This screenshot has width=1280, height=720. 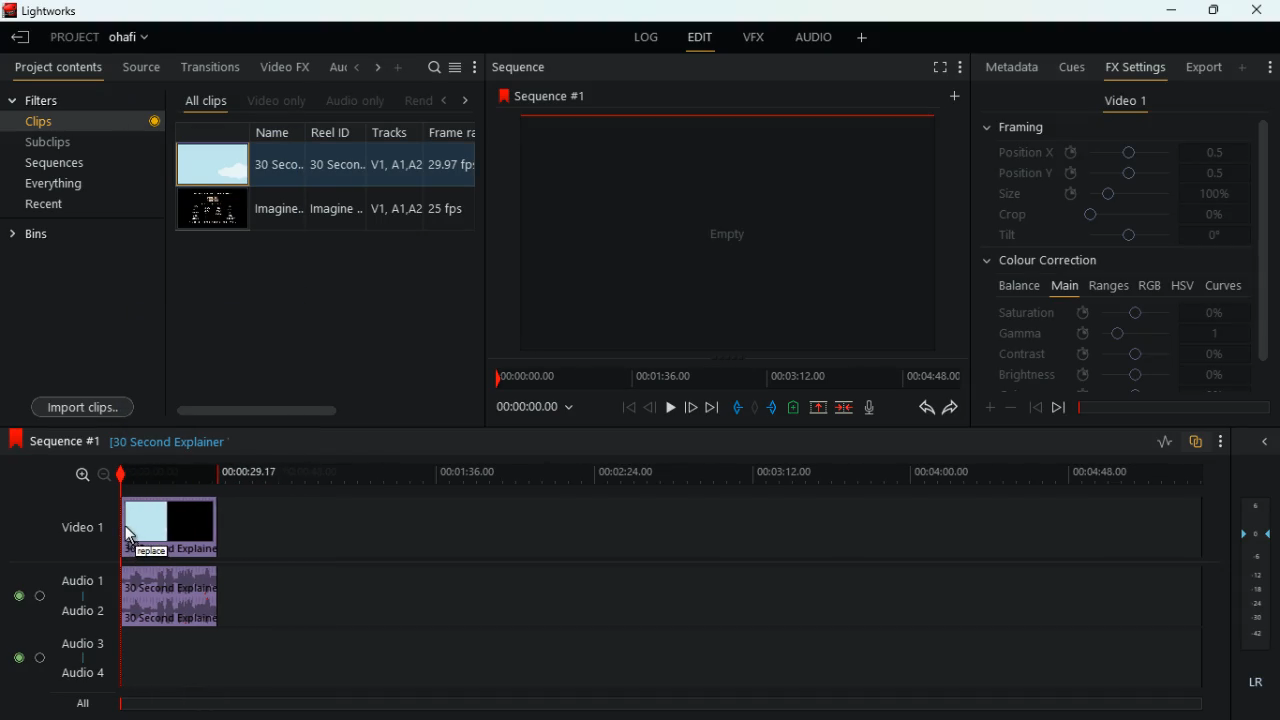 I want to click on description, so click(x=170, y=442).